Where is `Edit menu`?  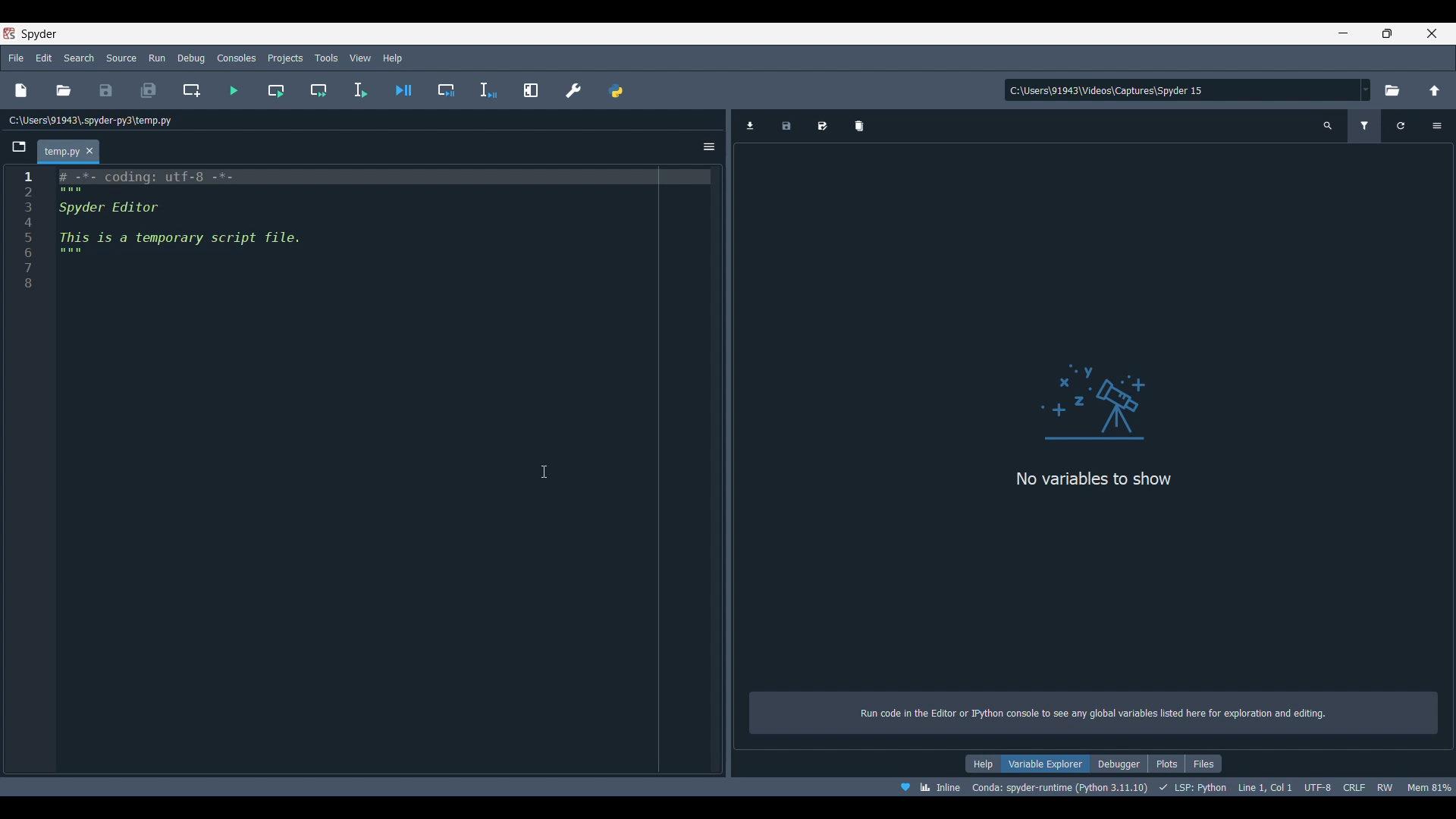
Edit menu is located at coordinates (44, 58).